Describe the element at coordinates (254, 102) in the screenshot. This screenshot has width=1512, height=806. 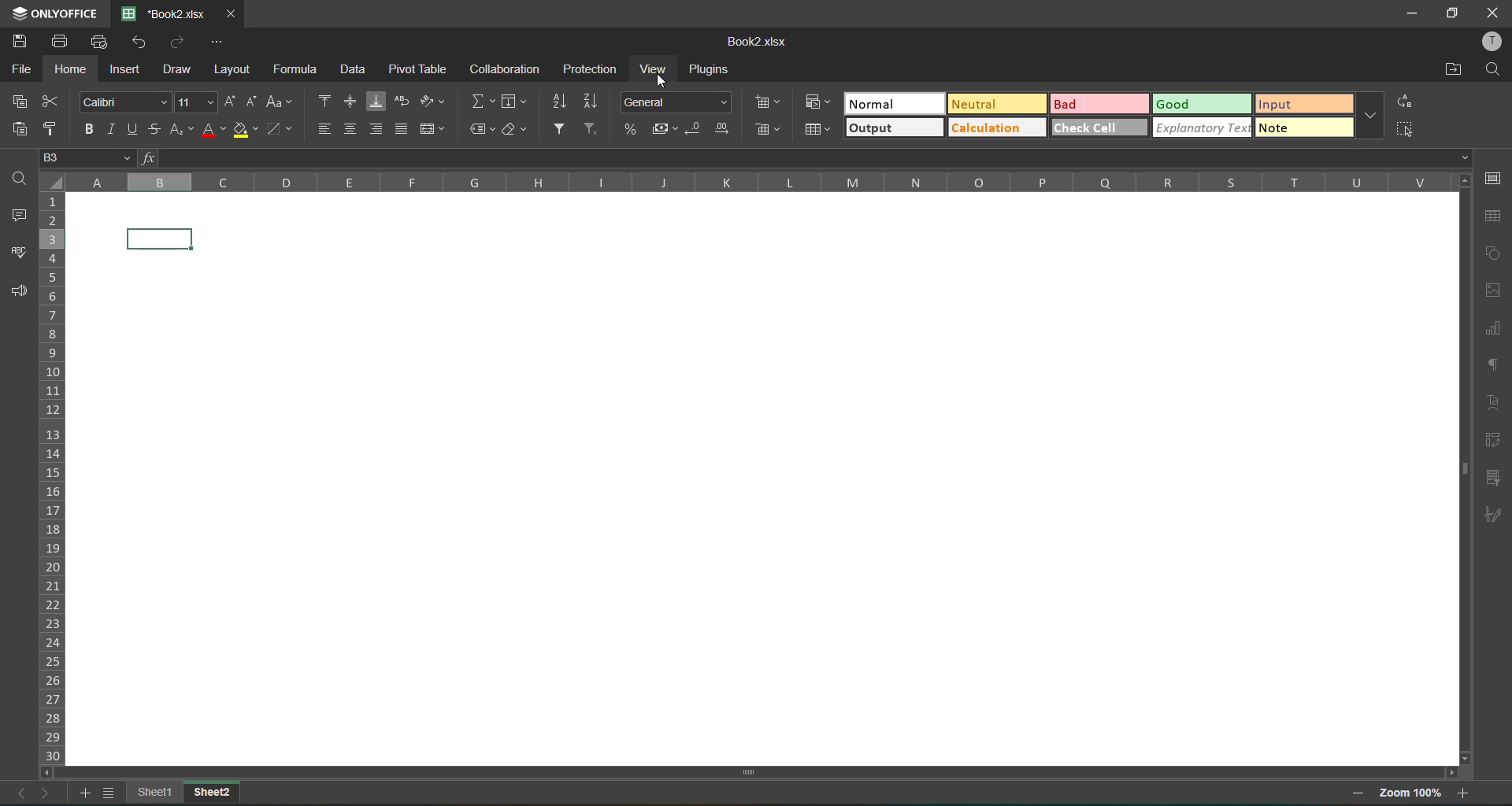
I see `decrement size` at that location.